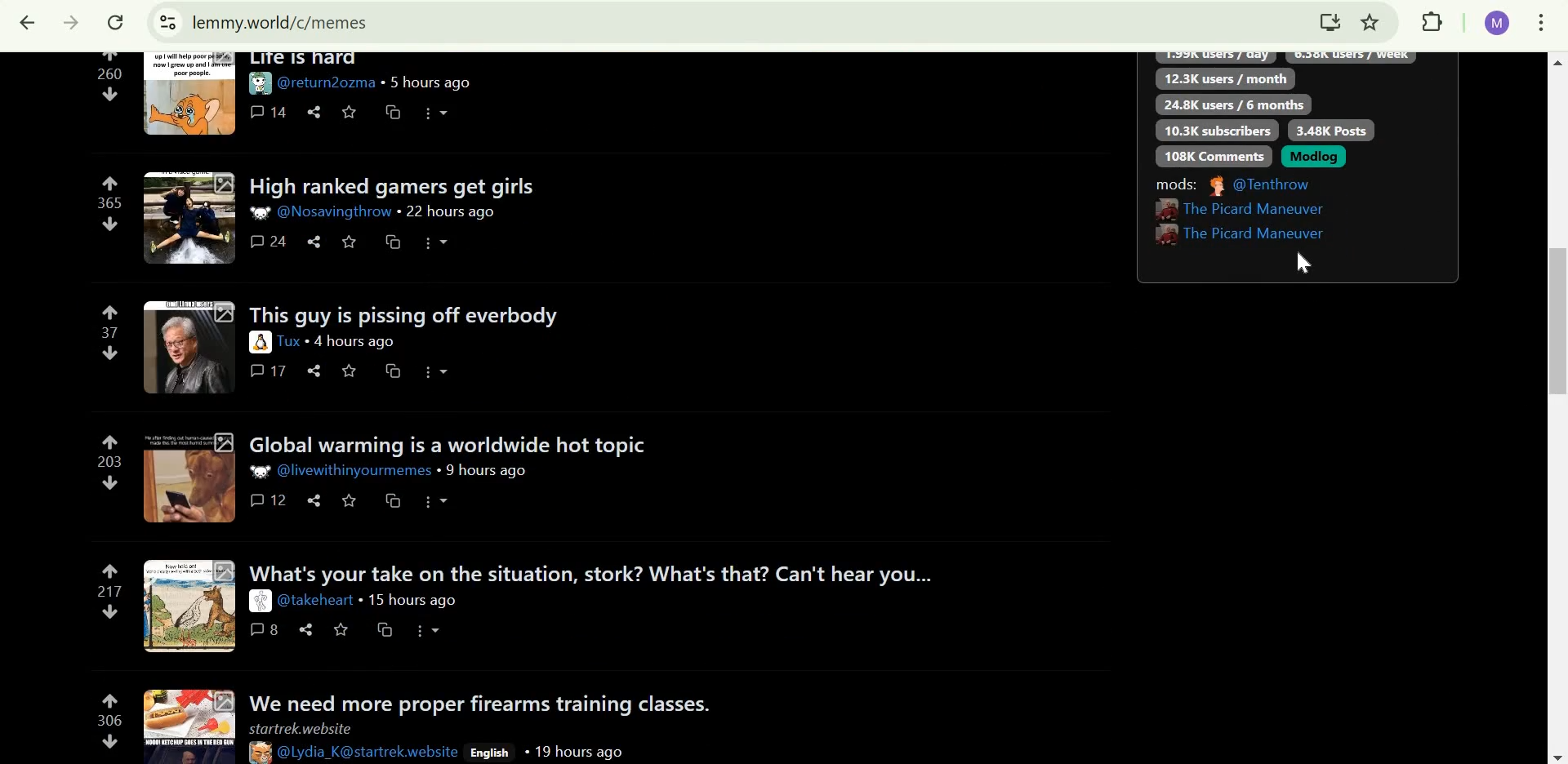  What do you see at coordinates (269, 112) in the screenshot?
I see `14 comments` at bounding box center [269, 112].